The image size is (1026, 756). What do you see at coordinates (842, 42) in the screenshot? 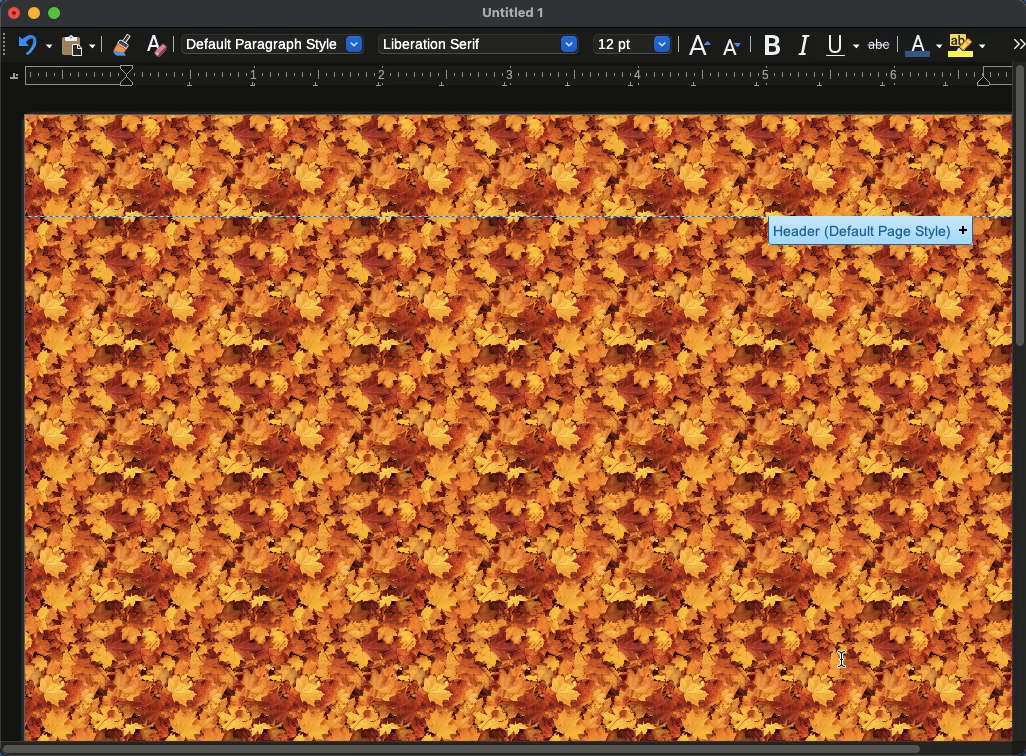
I see `underline` at bounding box center [842, 42].